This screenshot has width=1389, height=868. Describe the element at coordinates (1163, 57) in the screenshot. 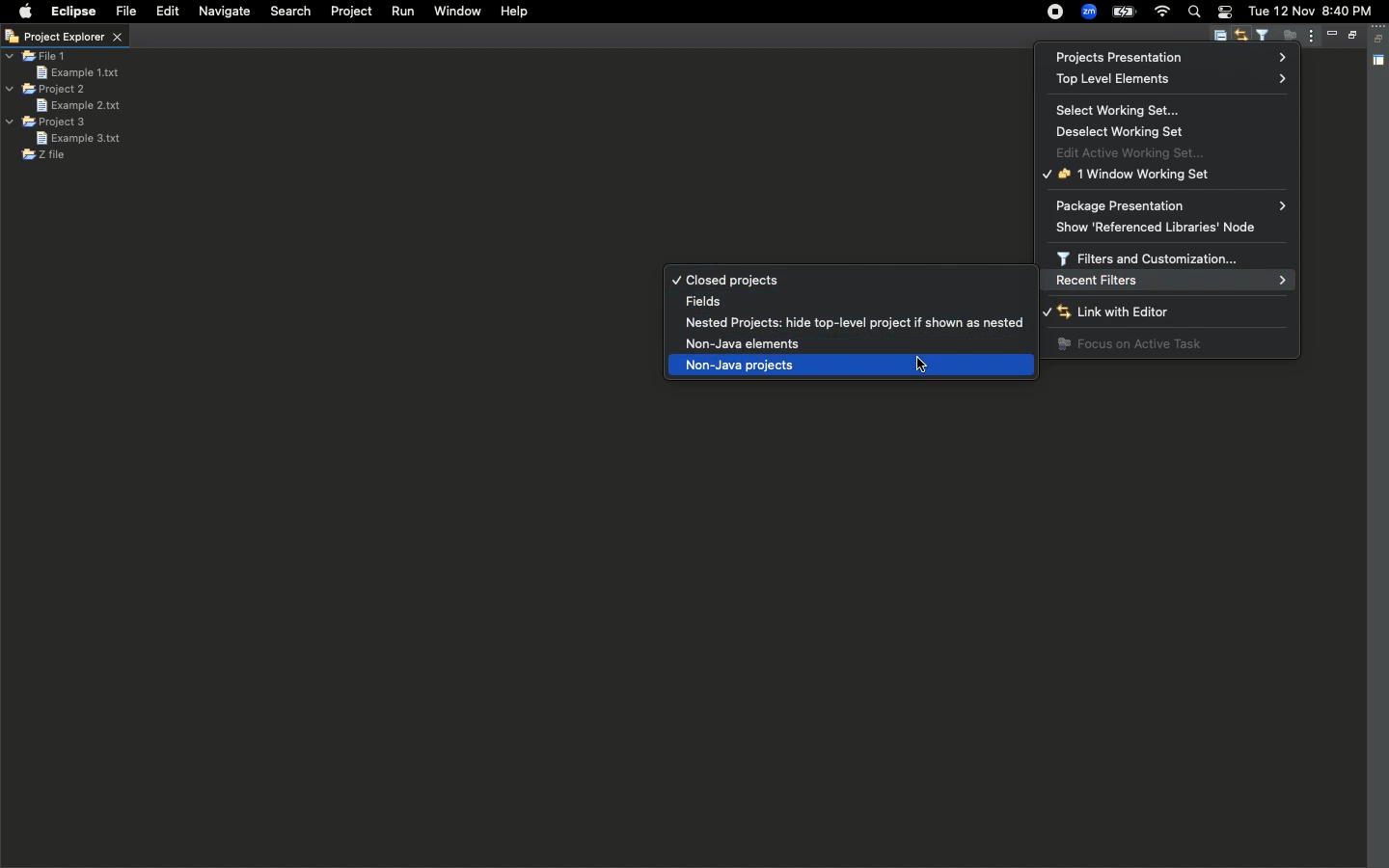

I see `Project presentation` at that location.